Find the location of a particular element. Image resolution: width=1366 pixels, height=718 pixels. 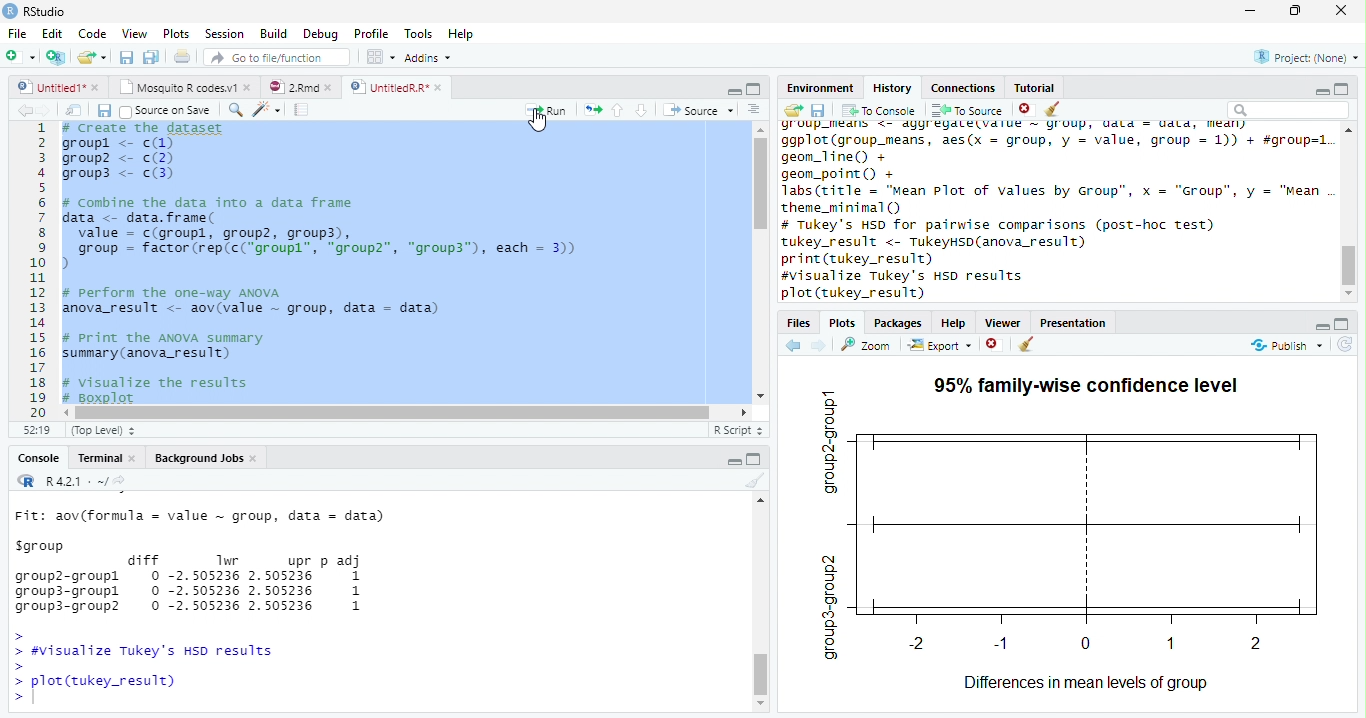

Maximize is located at coordinates (1297, 11).